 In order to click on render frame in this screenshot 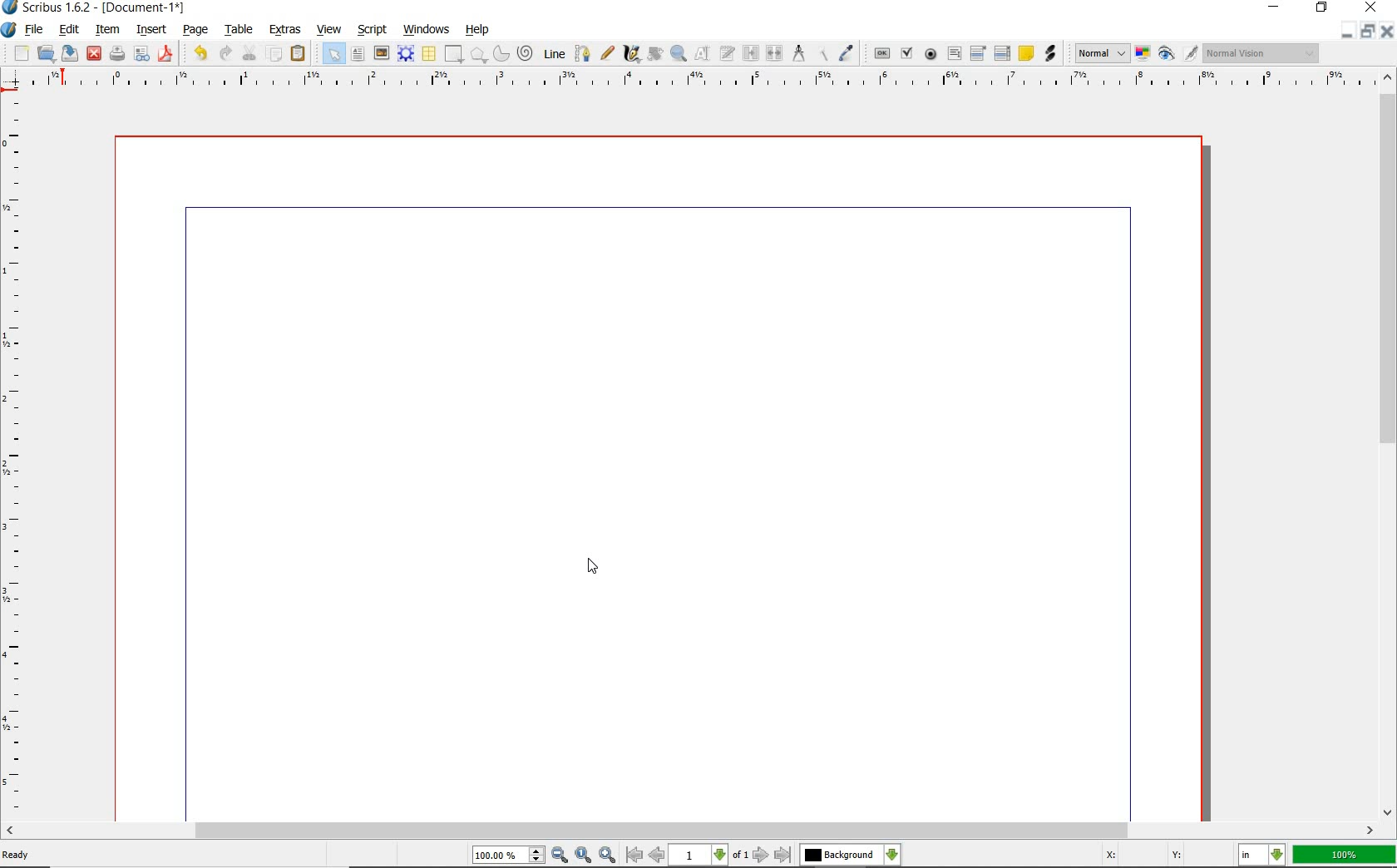, I will do `click(406, 53)`.